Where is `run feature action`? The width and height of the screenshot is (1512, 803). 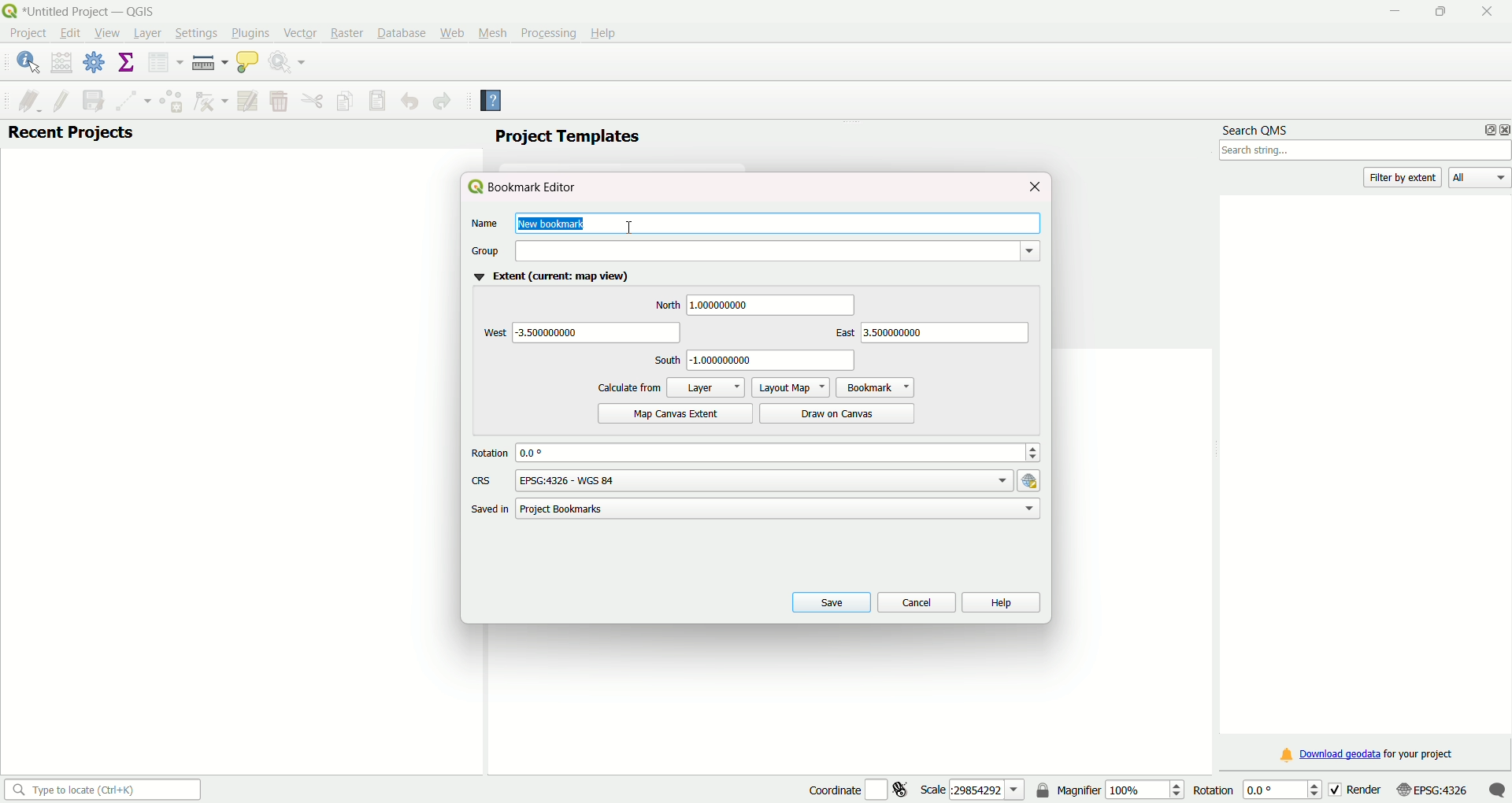 run feature action is located at coordinates (290, 64).